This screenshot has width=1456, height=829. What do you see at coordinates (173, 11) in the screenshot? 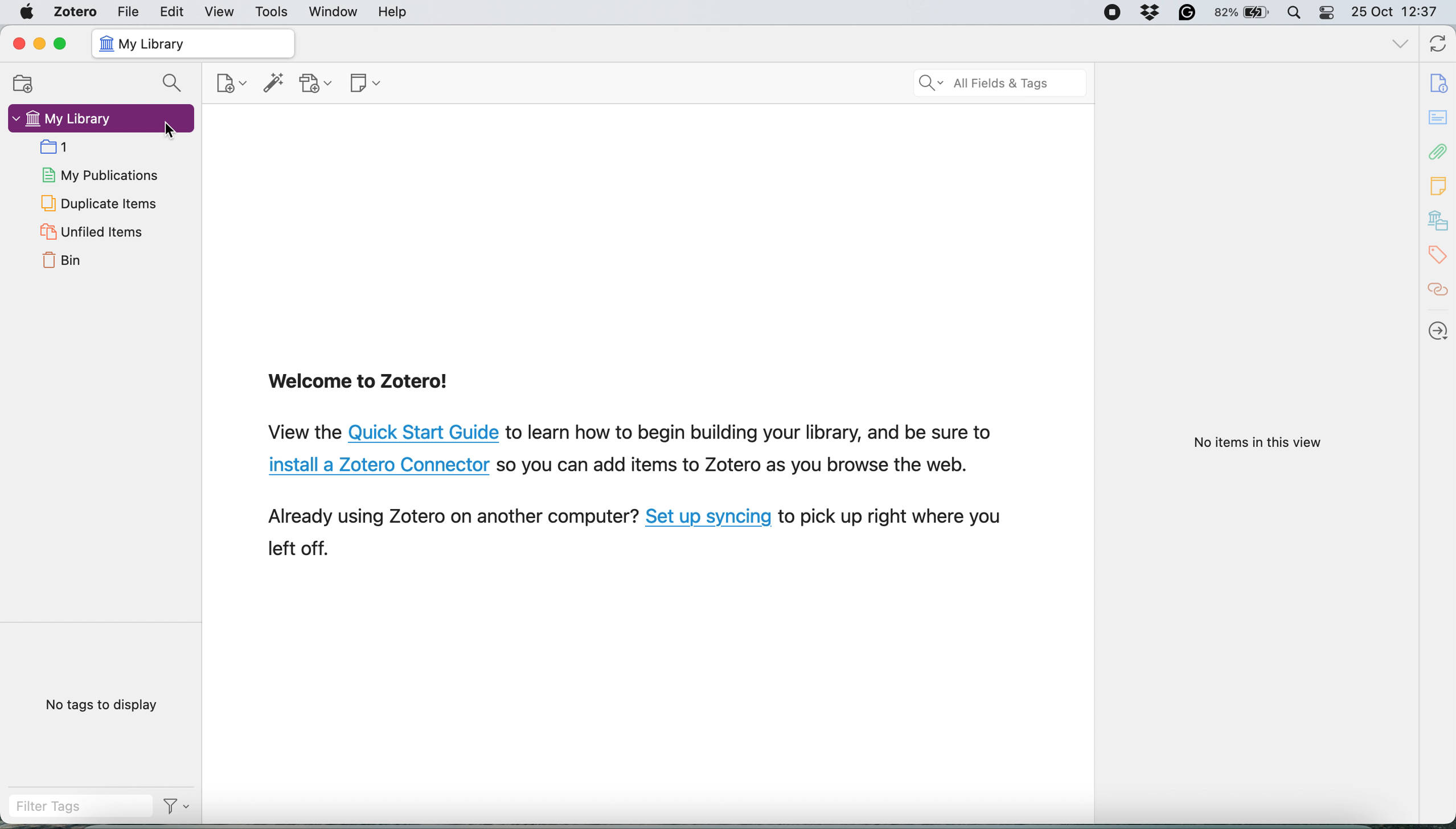
I see `edit` at bounding box center [173, 11].